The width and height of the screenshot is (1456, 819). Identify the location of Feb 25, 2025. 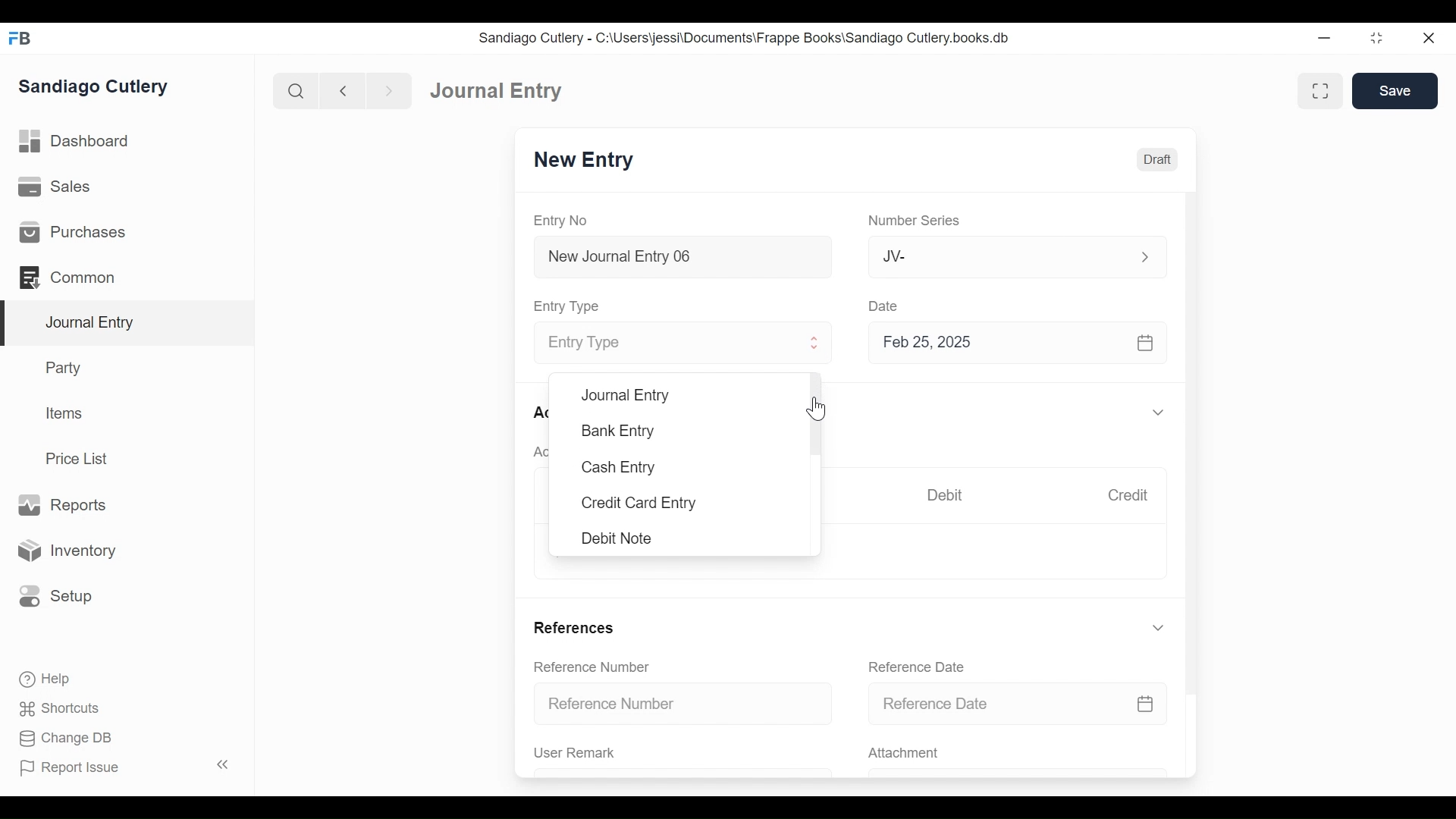
(1011, 342).